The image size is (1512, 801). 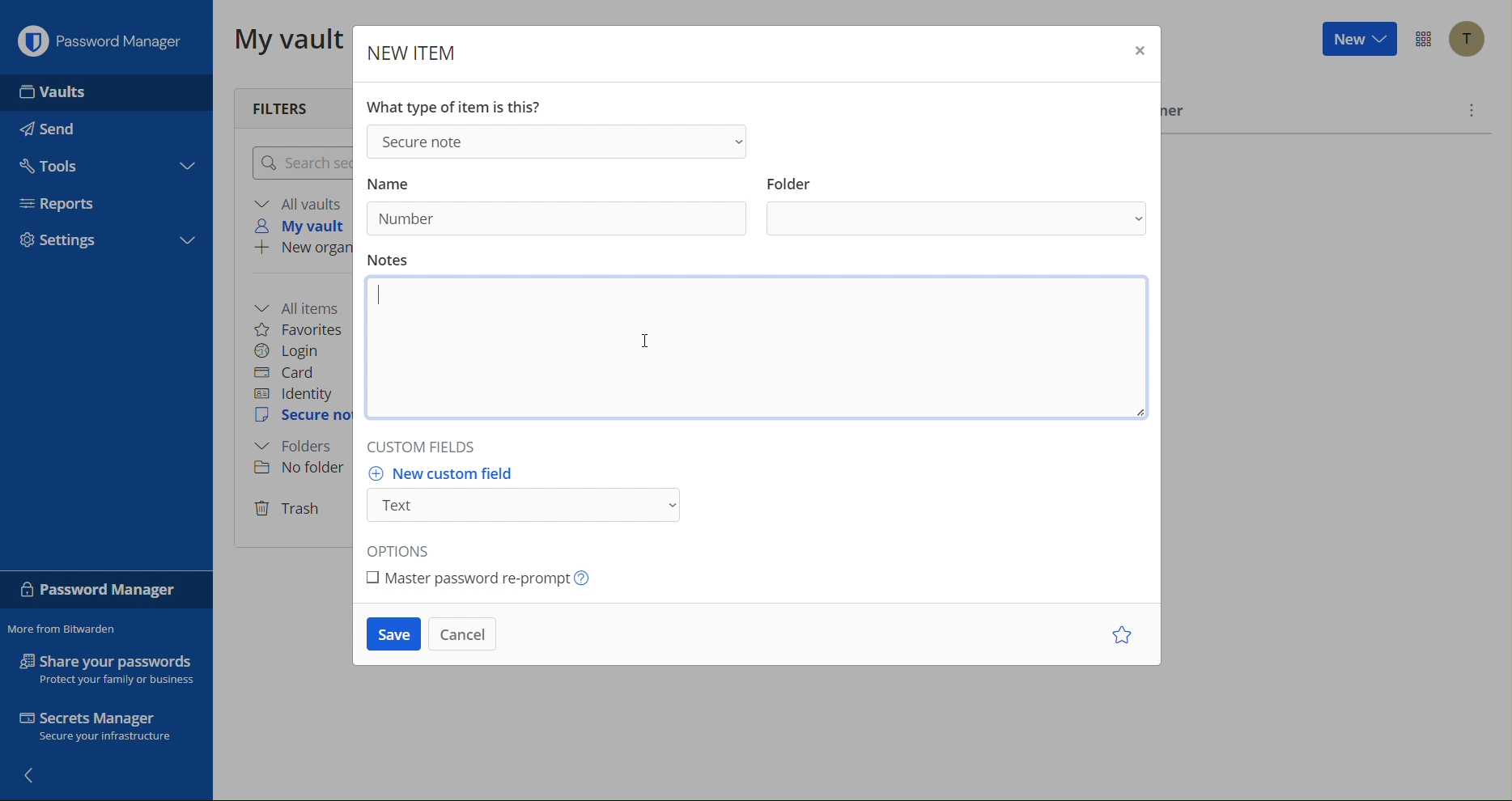 What do you see at coordinates (436, 450) in the screenshot?
I see `Custom Fields` at bounding box center [436, 450].